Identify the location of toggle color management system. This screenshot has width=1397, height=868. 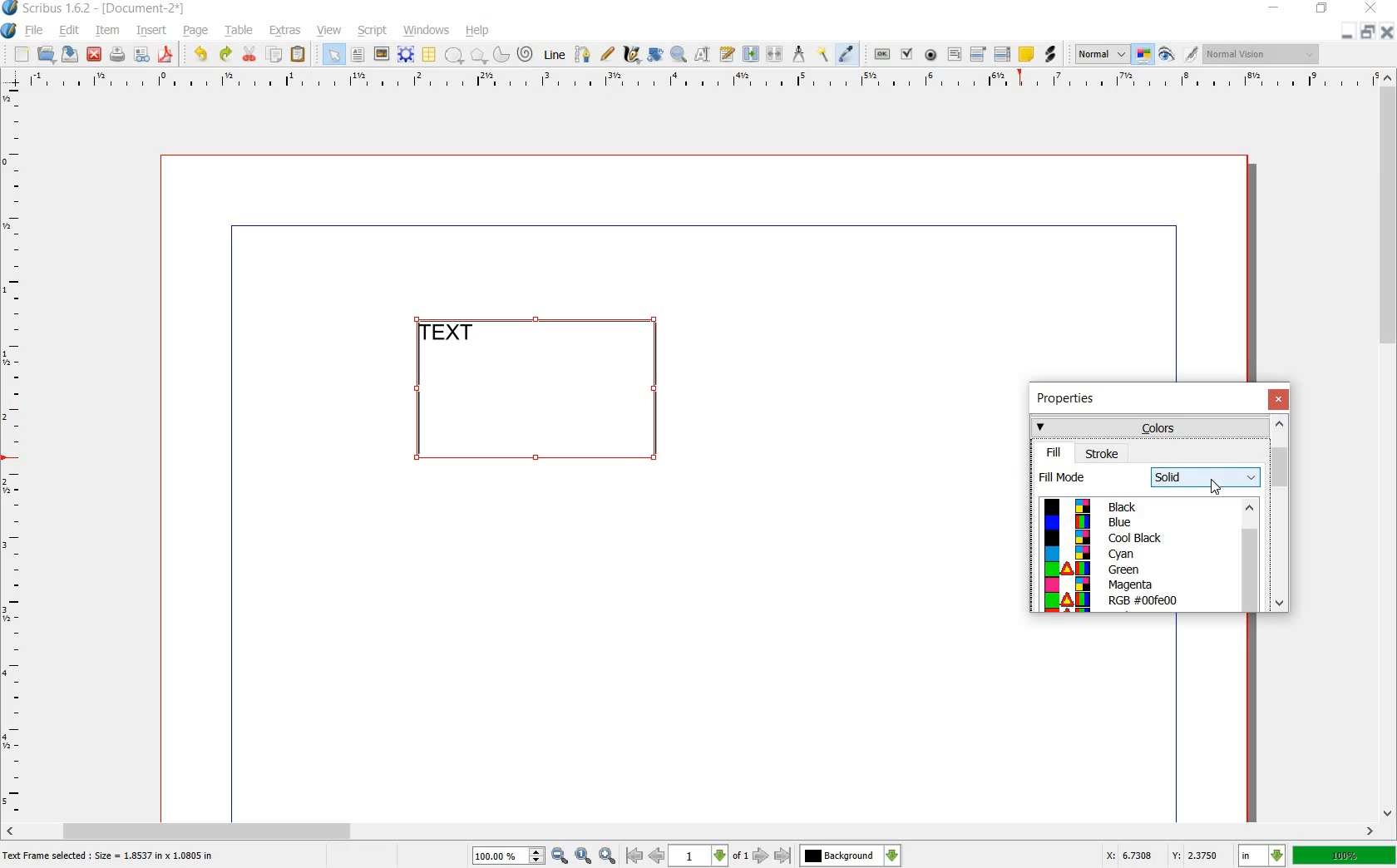
(1144, 55).